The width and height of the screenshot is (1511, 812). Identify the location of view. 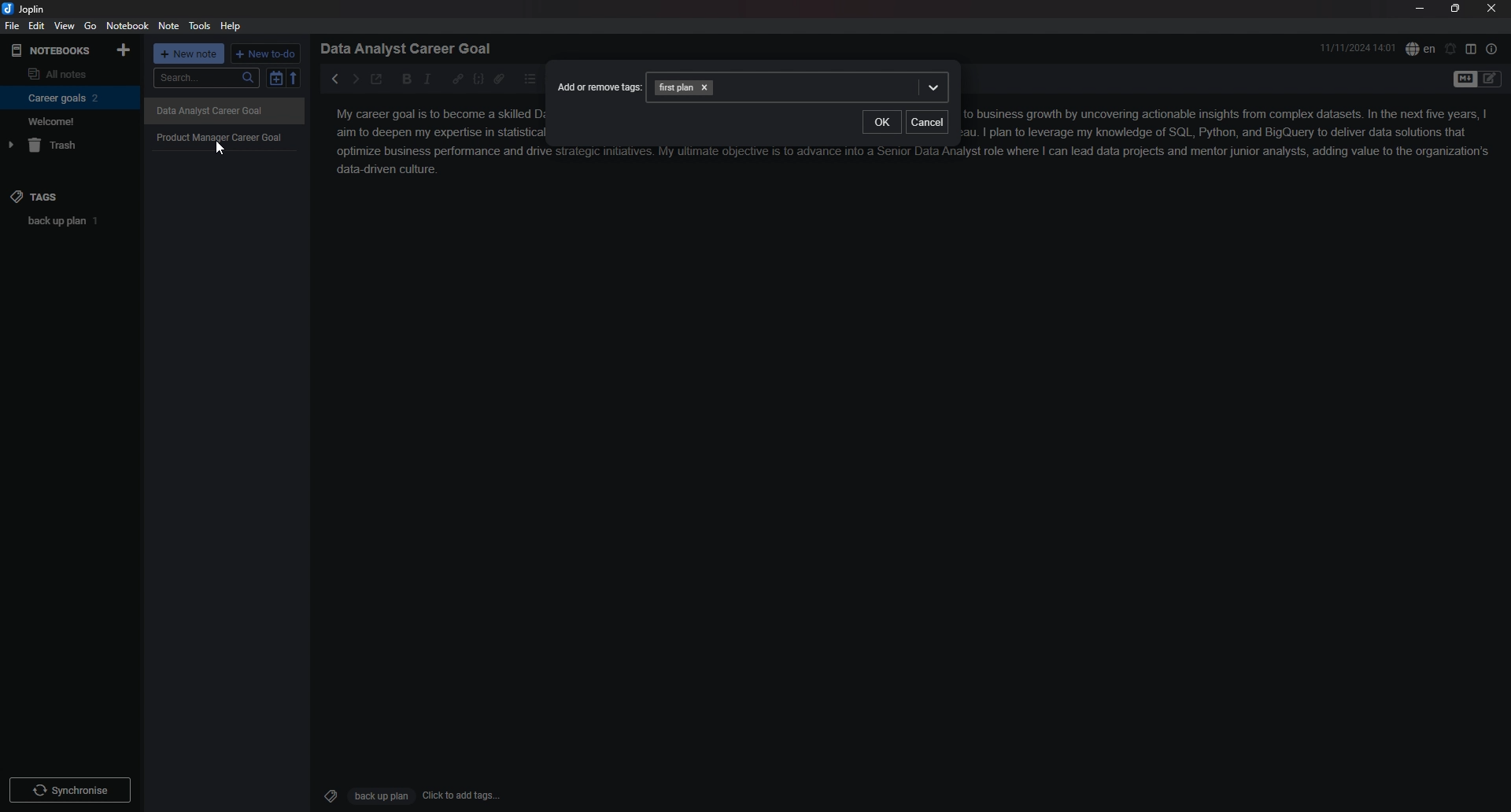
(65, 26).